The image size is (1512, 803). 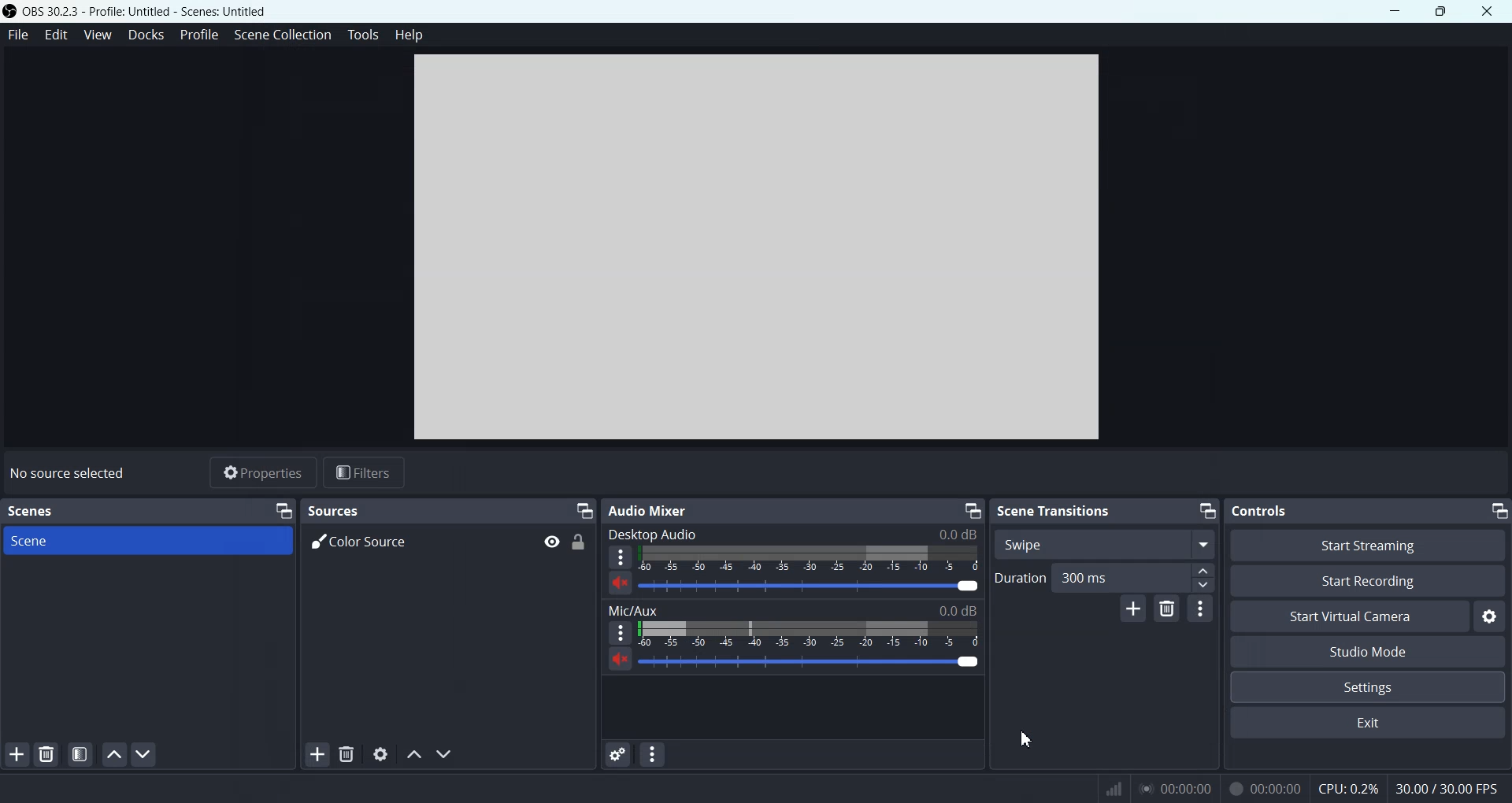 I want to click on Text, so click(x=792, y=608).